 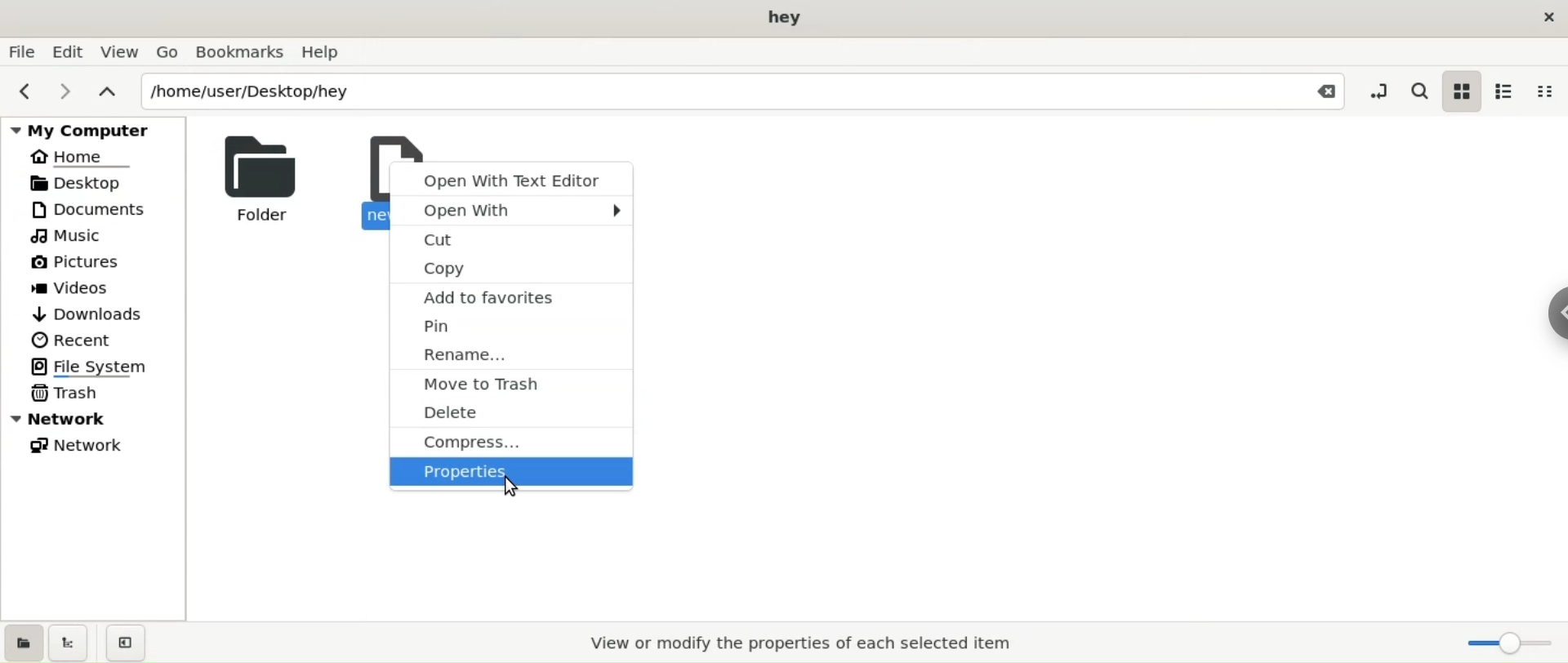 I want to click on toggle location entry, so click(x=1382, y=90).